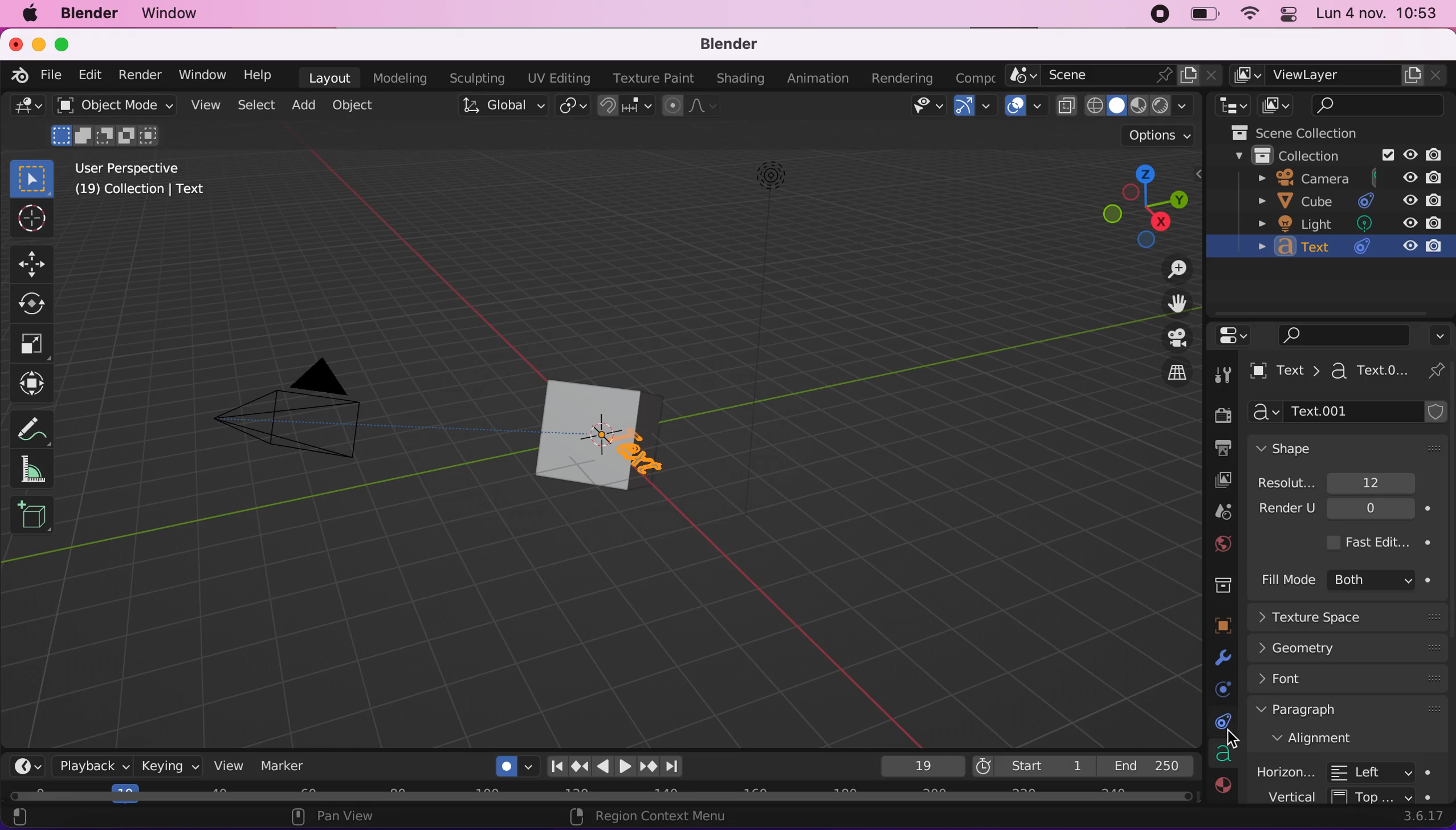 This screenshot has height=830, width=1456. Describe the element at coordinates (1176, 371) in the screenshot. I see `switch the current view` at that location.